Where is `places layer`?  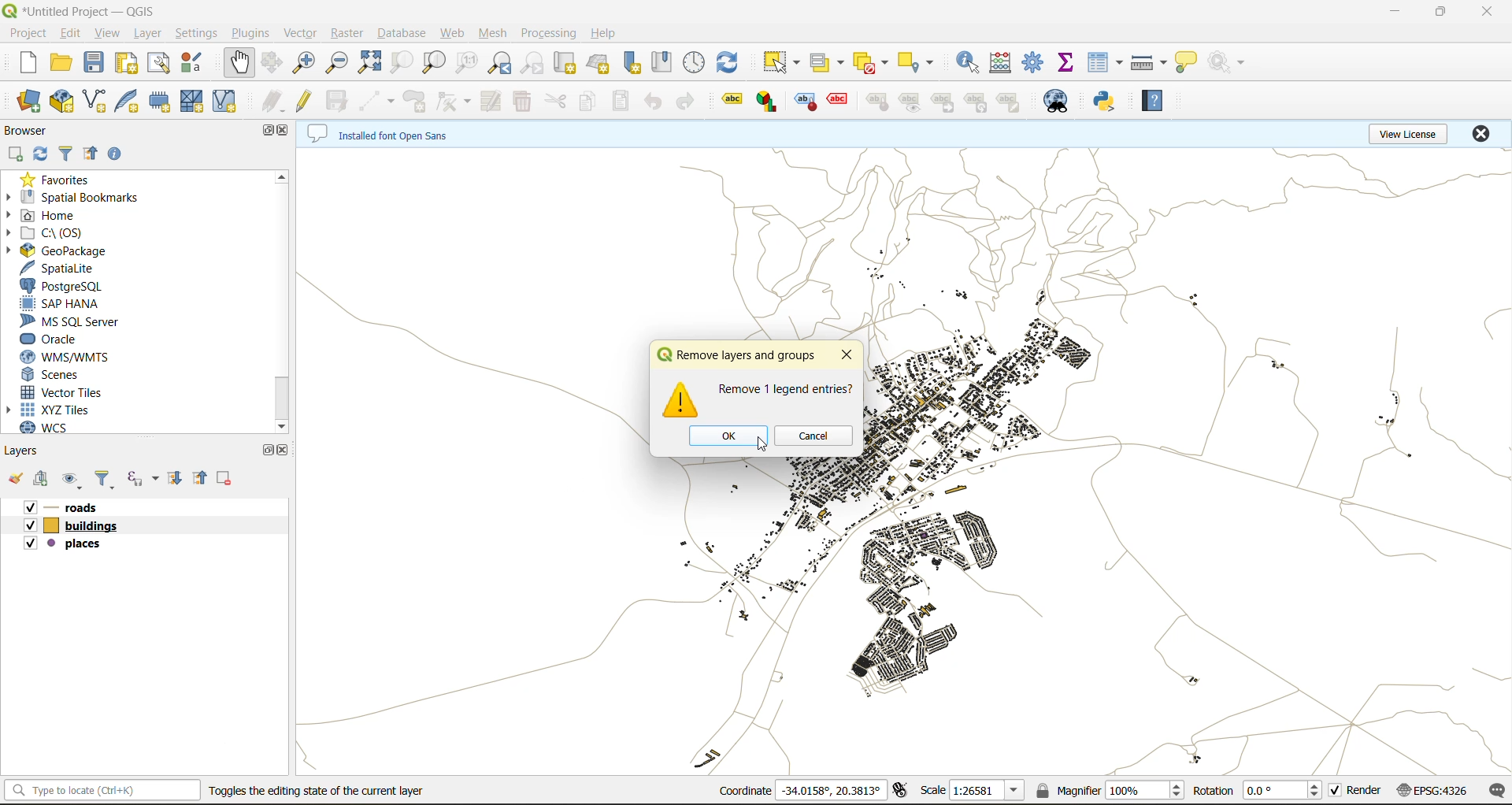
places layer is located at coordinates (76, 544).